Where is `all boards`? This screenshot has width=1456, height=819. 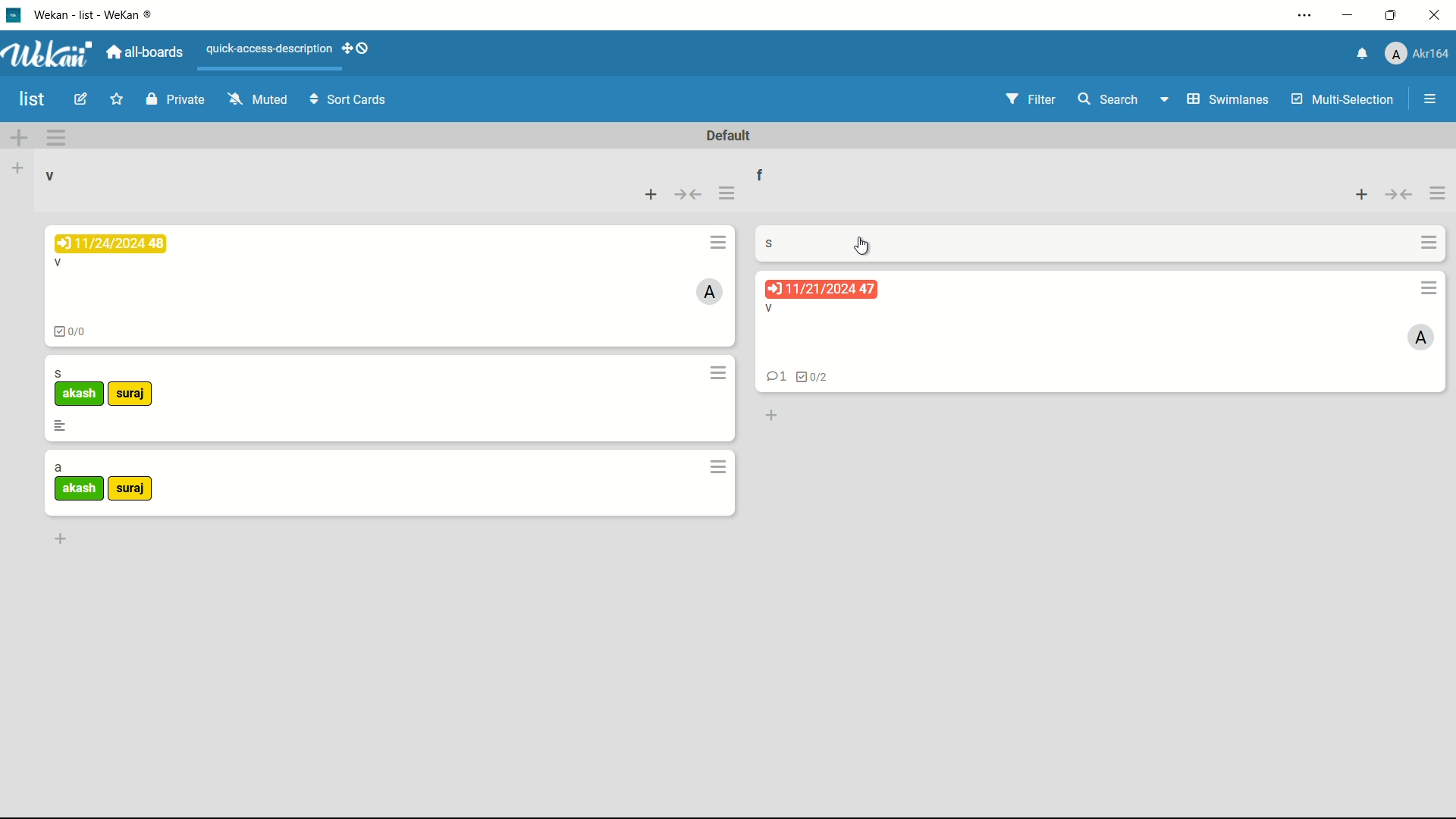
all boards is located at coordinates (143, 54).